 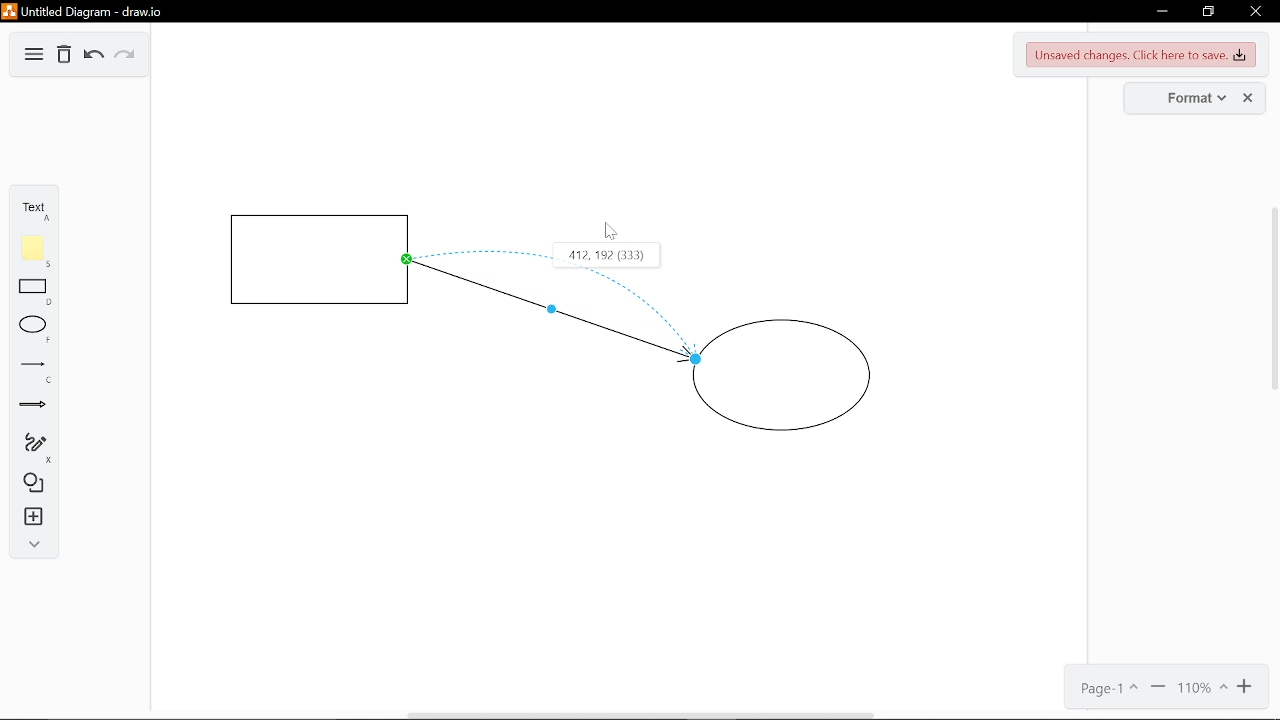 What do you see at coordinates (1111, 689) in the screenshot?
I see `Current page(Page 1)` at bounding box center [1111, 689].